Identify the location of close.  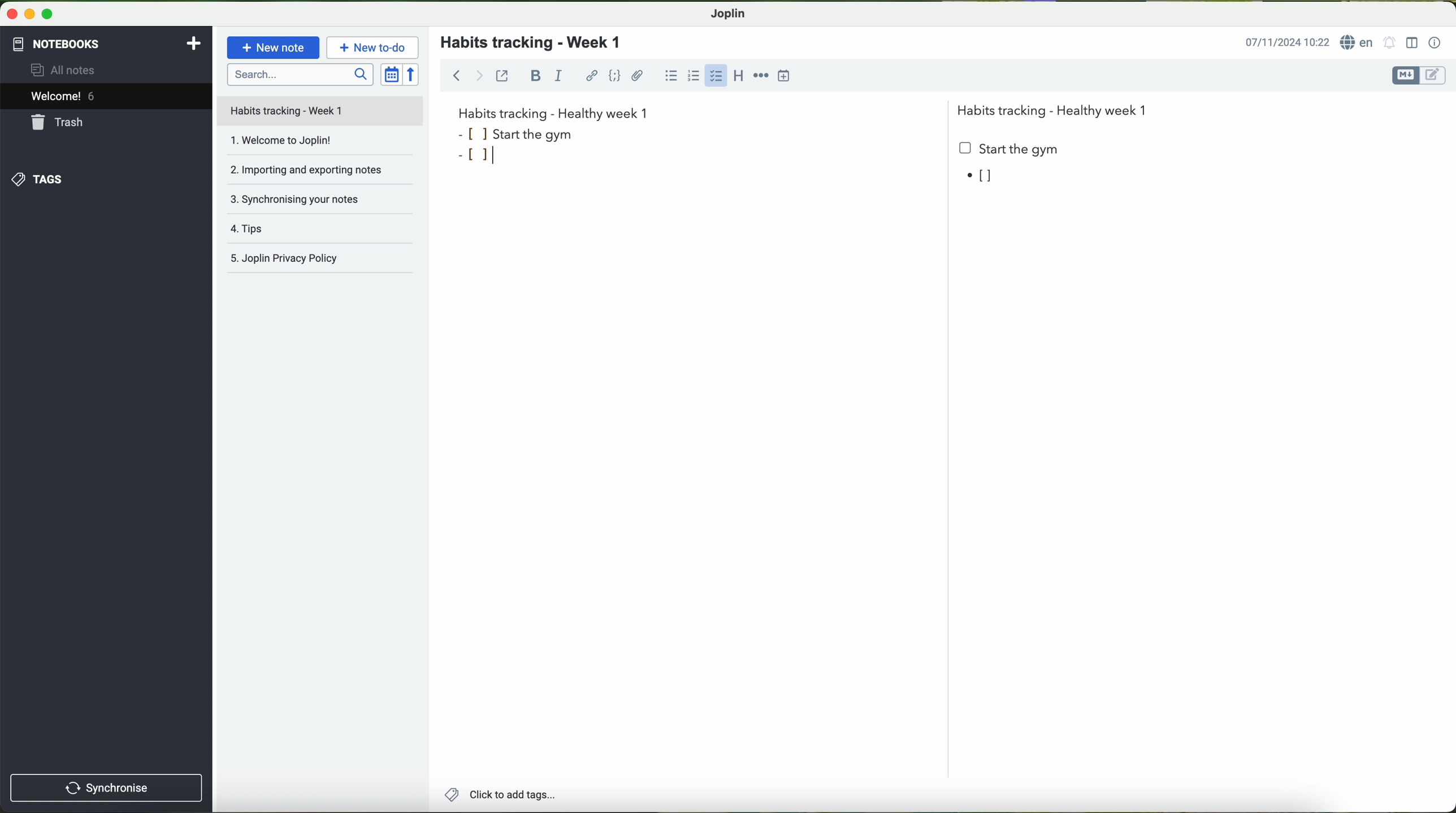
(9, 12).